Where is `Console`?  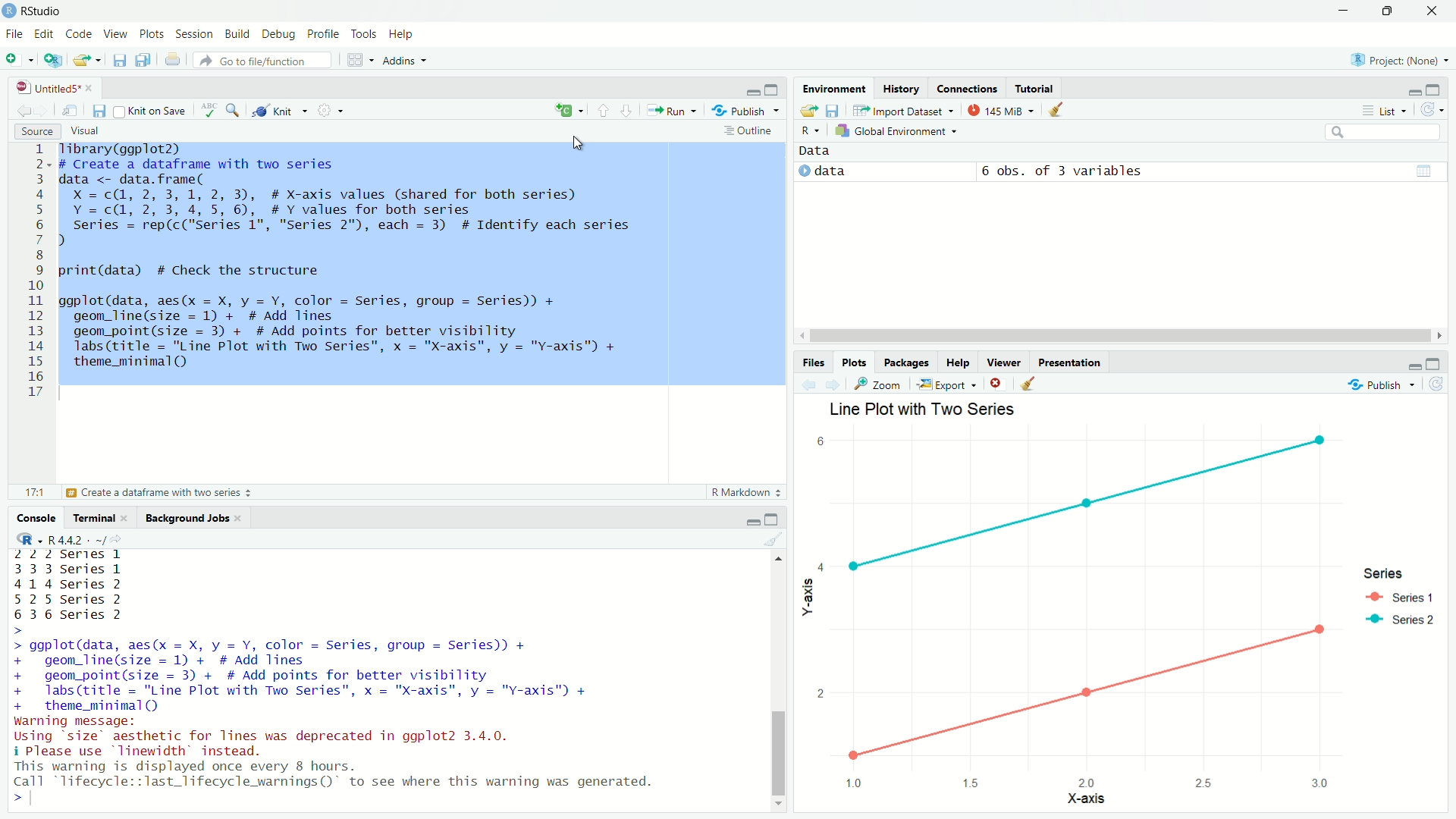
Console is located at coordinates (36, 517).